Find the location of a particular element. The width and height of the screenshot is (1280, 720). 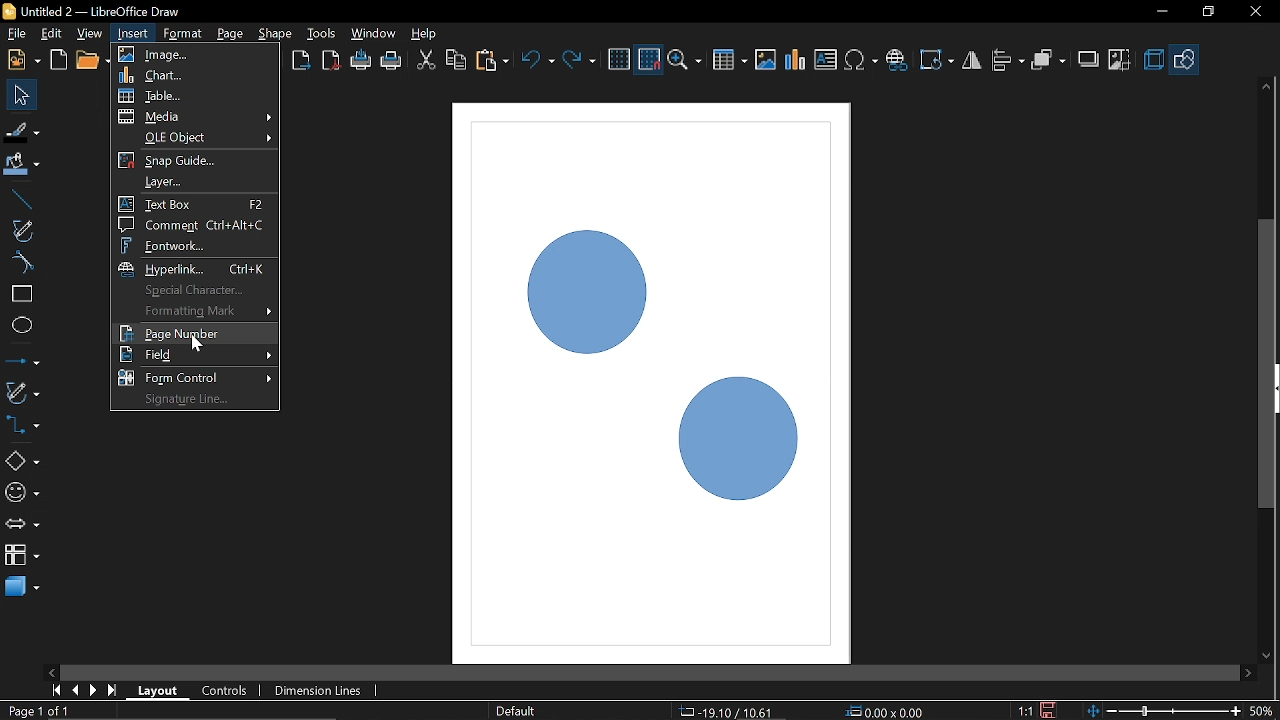

Formatting mark is located at coordinates (195, 311).